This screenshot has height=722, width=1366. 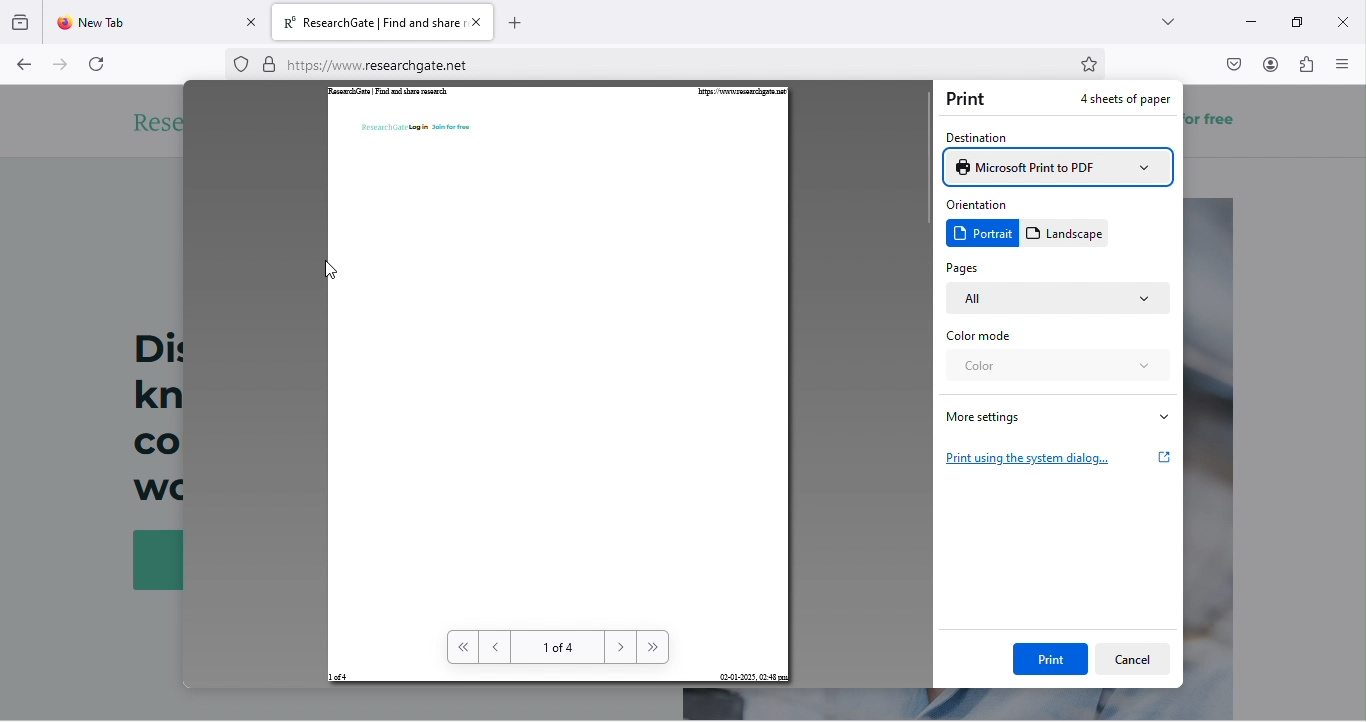 What do you see at coordinates (1221, 65) in the screenshot?
I see `pocket` at bounding box center [1221, 65].